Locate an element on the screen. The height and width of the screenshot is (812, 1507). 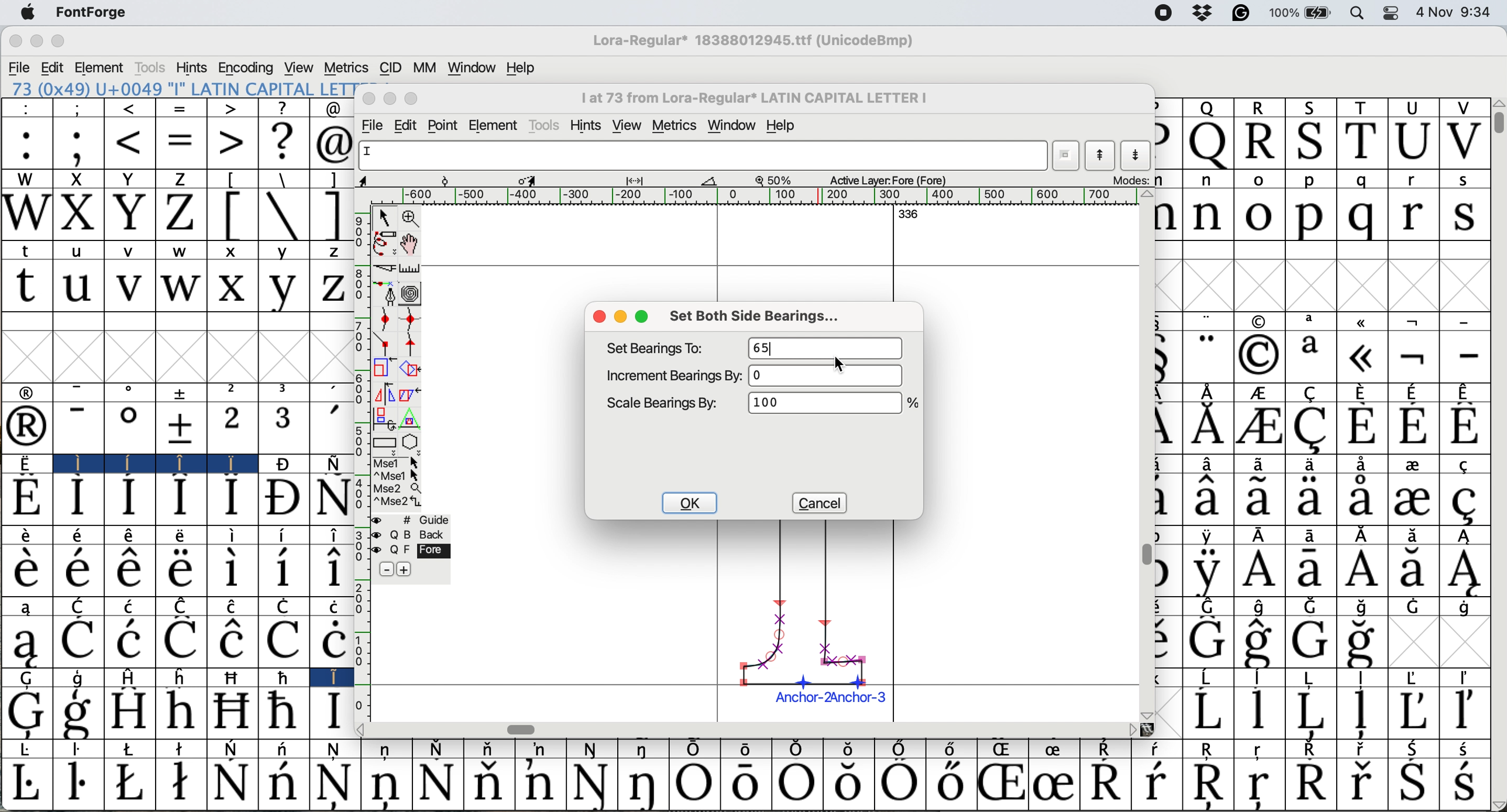
Symbol is located at coordinates (1212, 749).